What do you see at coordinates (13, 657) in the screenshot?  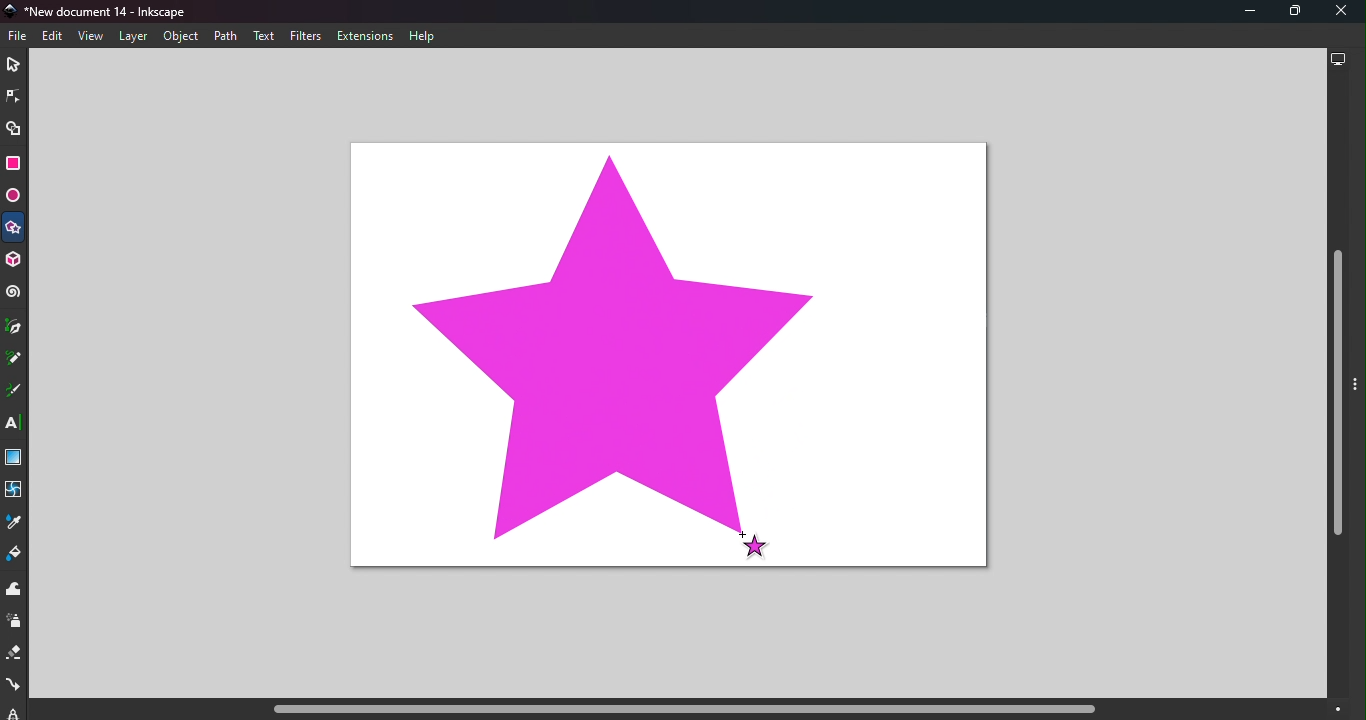 I see `Eraser tool` at bounding box center [13, 657].